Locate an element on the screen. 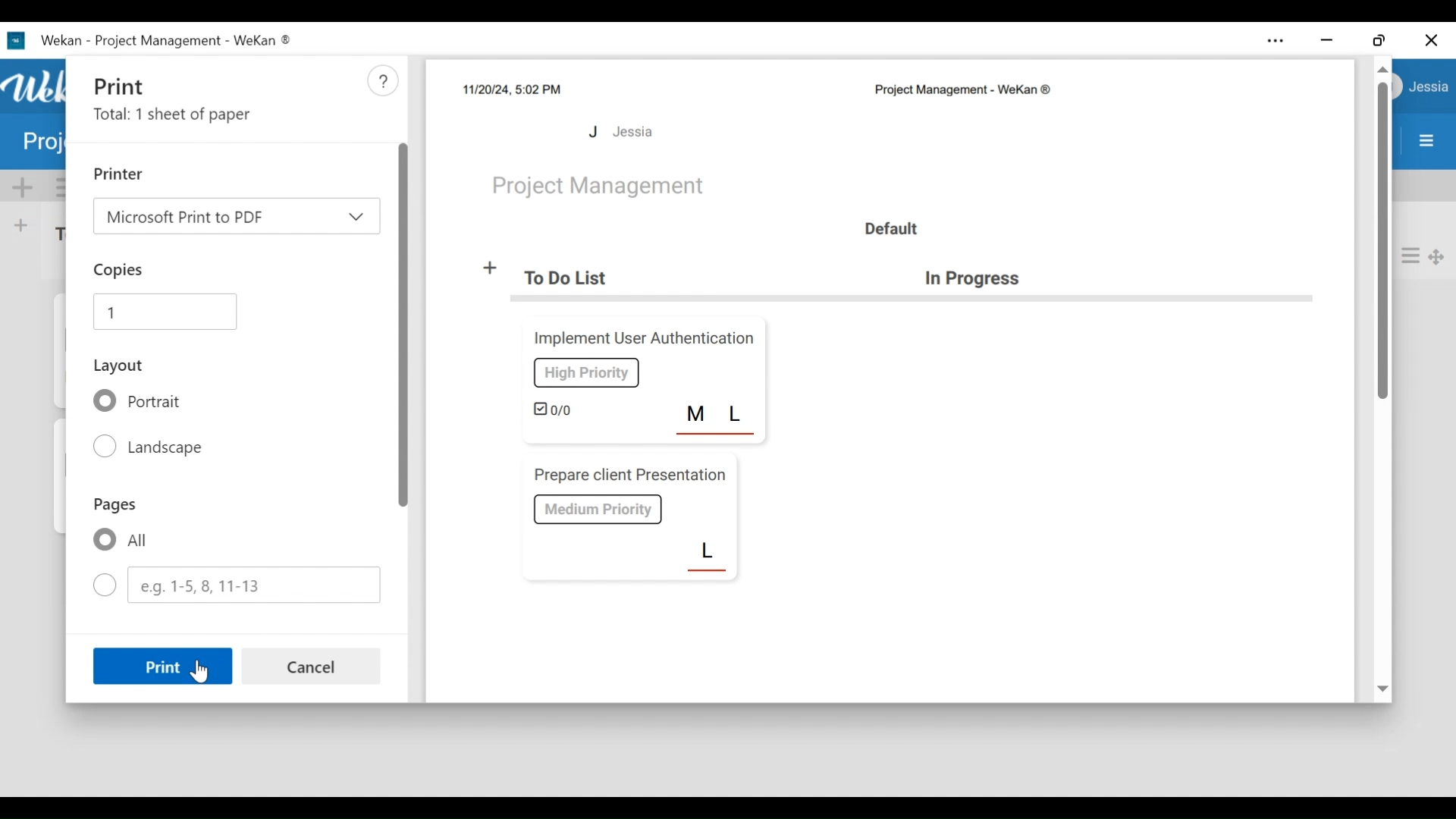 This screenshot has width=1456, height=819. Board Title is located at coordinates (600, 187).